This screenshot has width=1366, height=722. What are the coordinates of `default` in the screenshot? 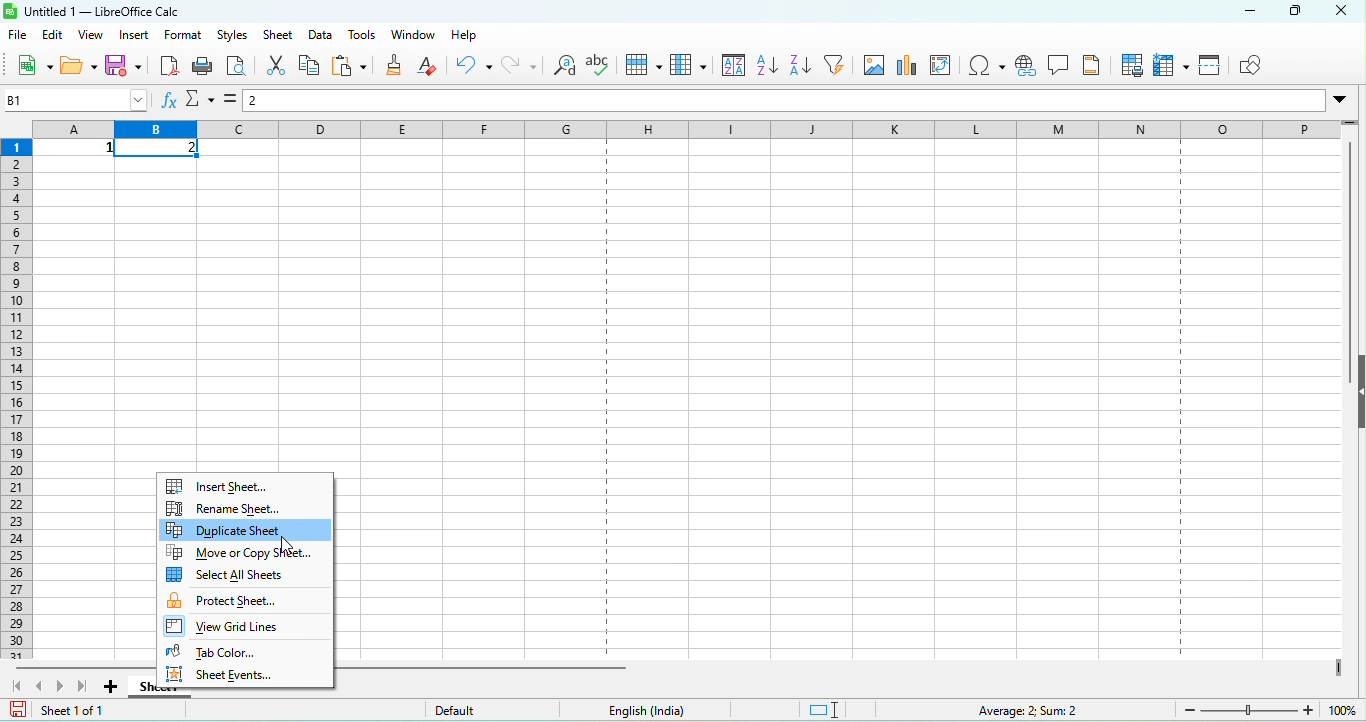 It's located at (491, 709).